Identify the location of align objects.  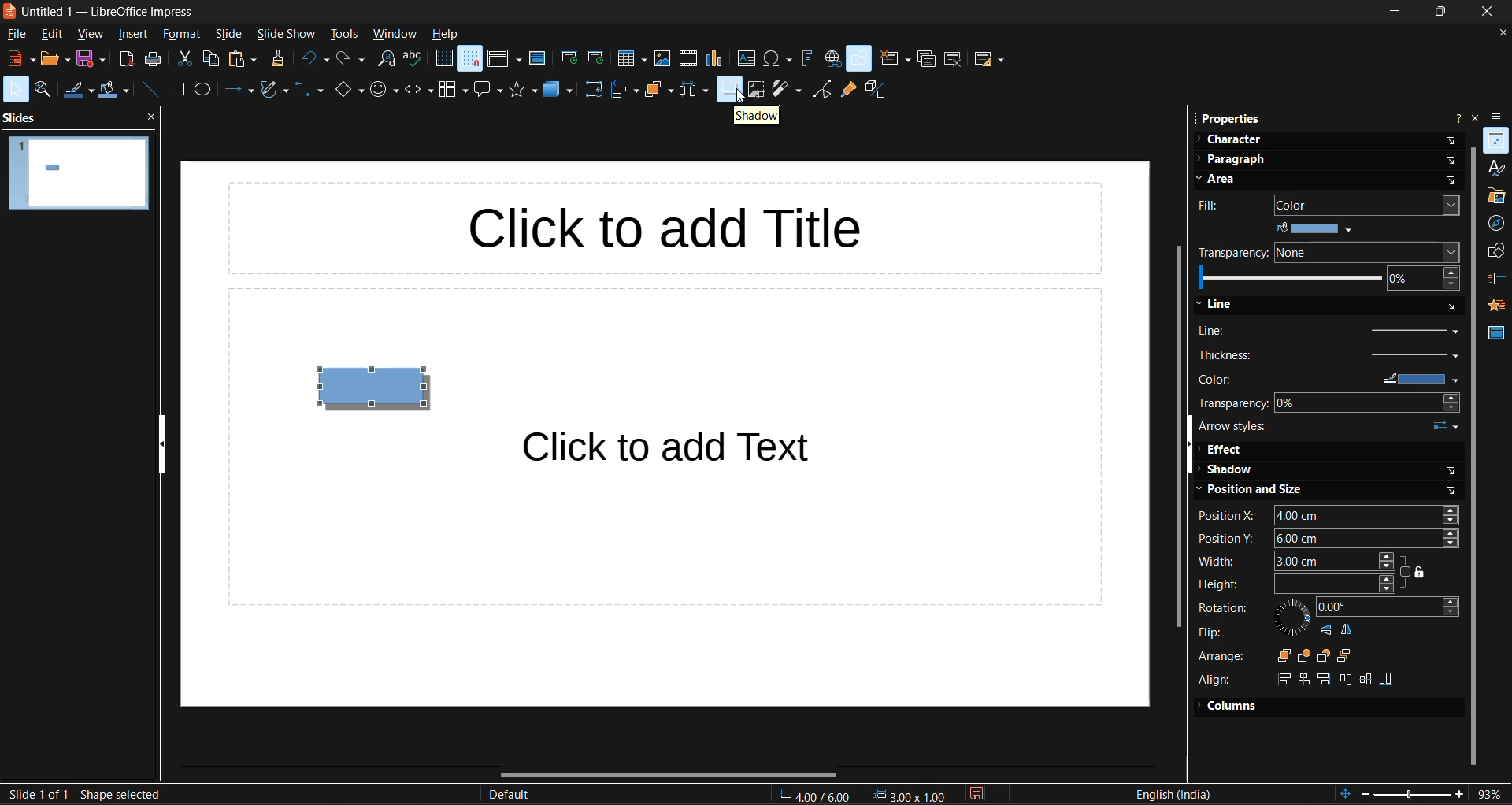
(625, 89).